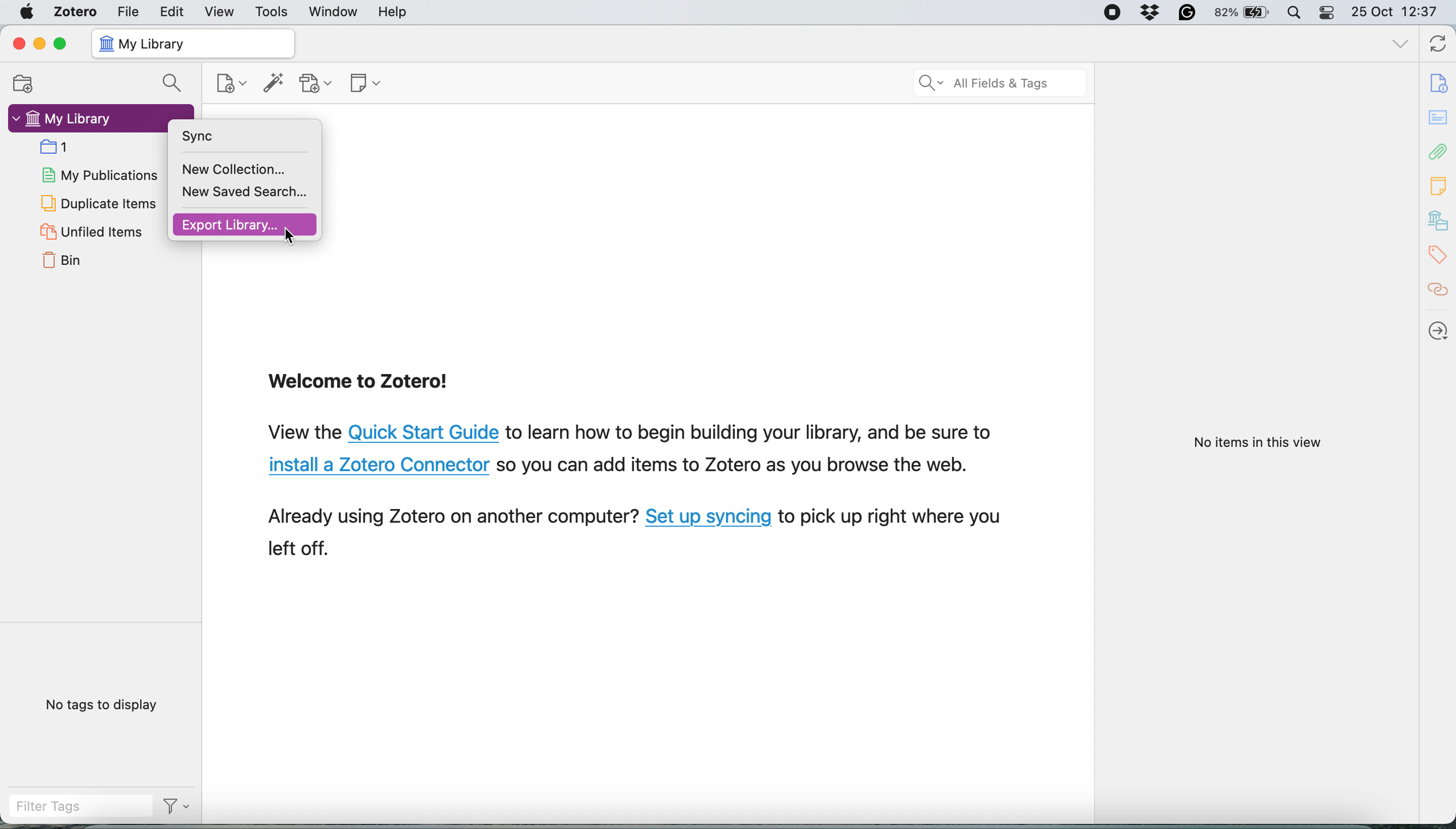 The height and width of the screenshot is (829, 1456). I want to click on search all field ads tags, so click(996, 84).